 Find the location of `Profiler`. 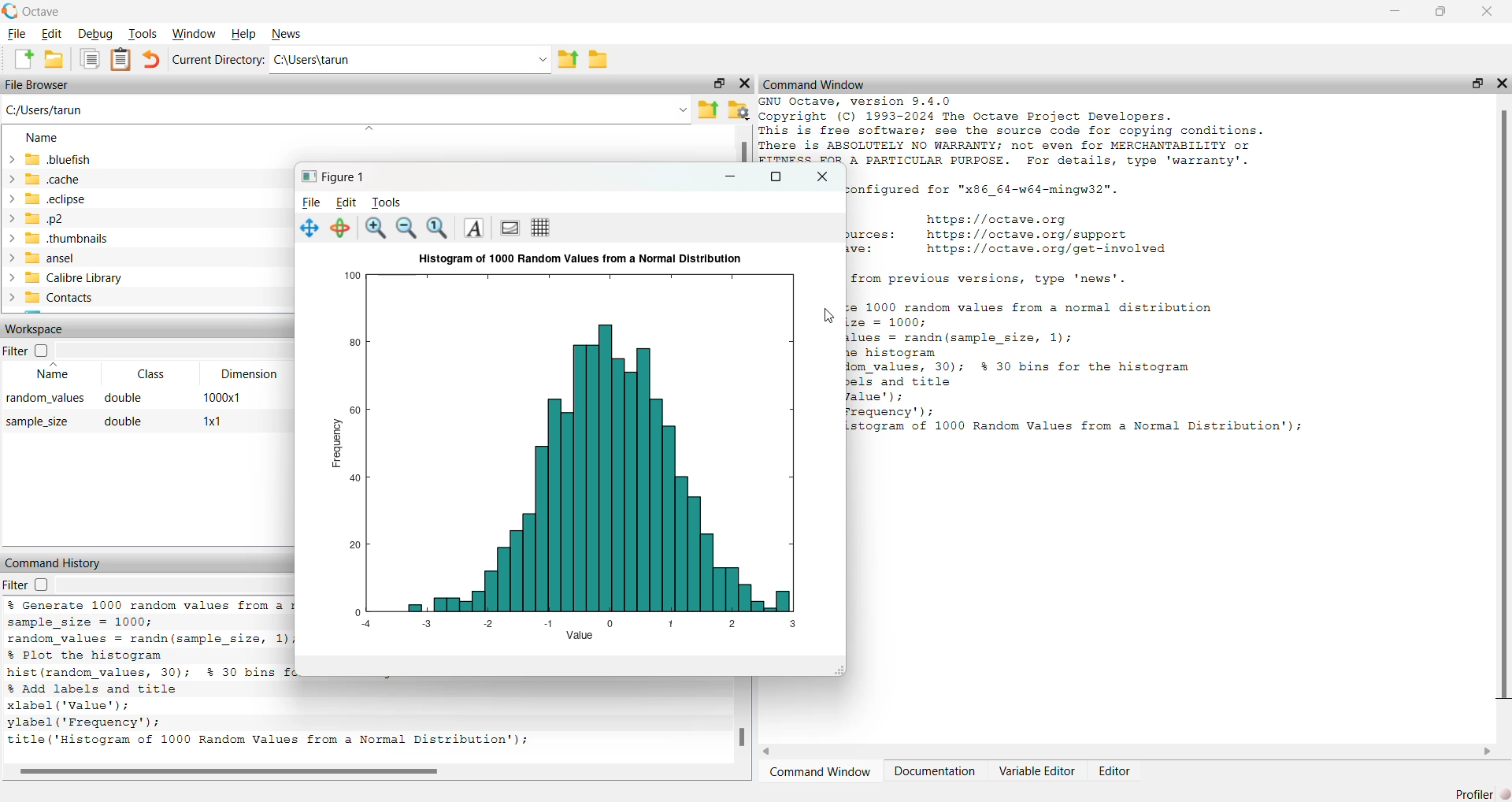

Profiler is located at coordinates (1480, 793).